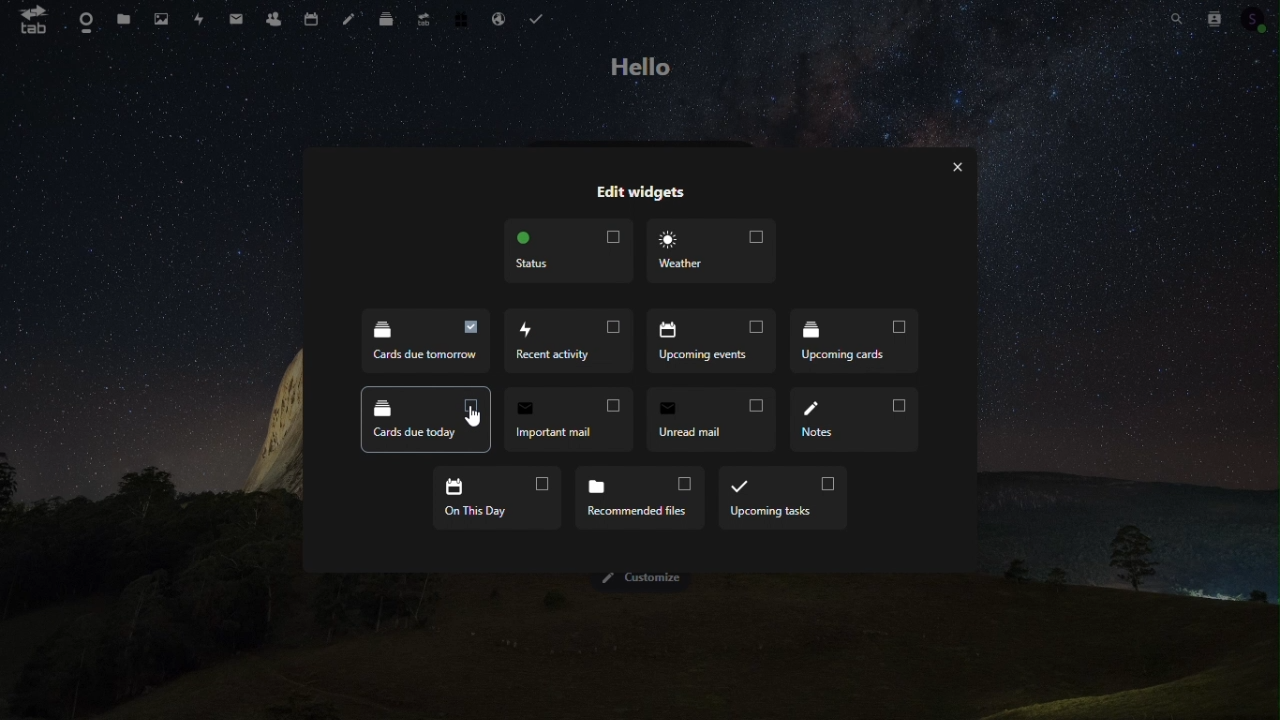 The height and width of the screenshot is (720, 1280). I want to click on On this day, so click(494, 500).